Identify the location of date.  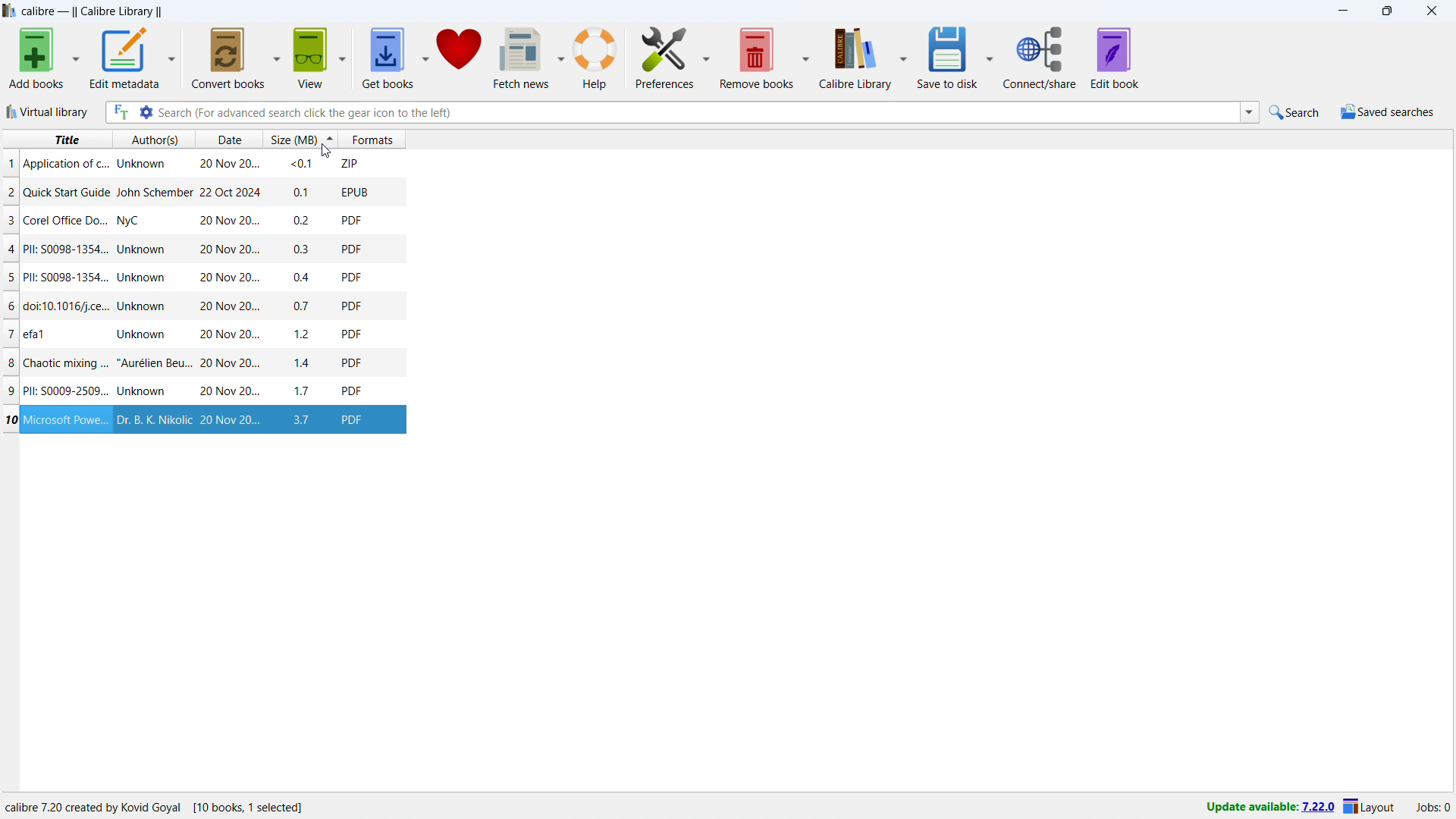
(230, 363).